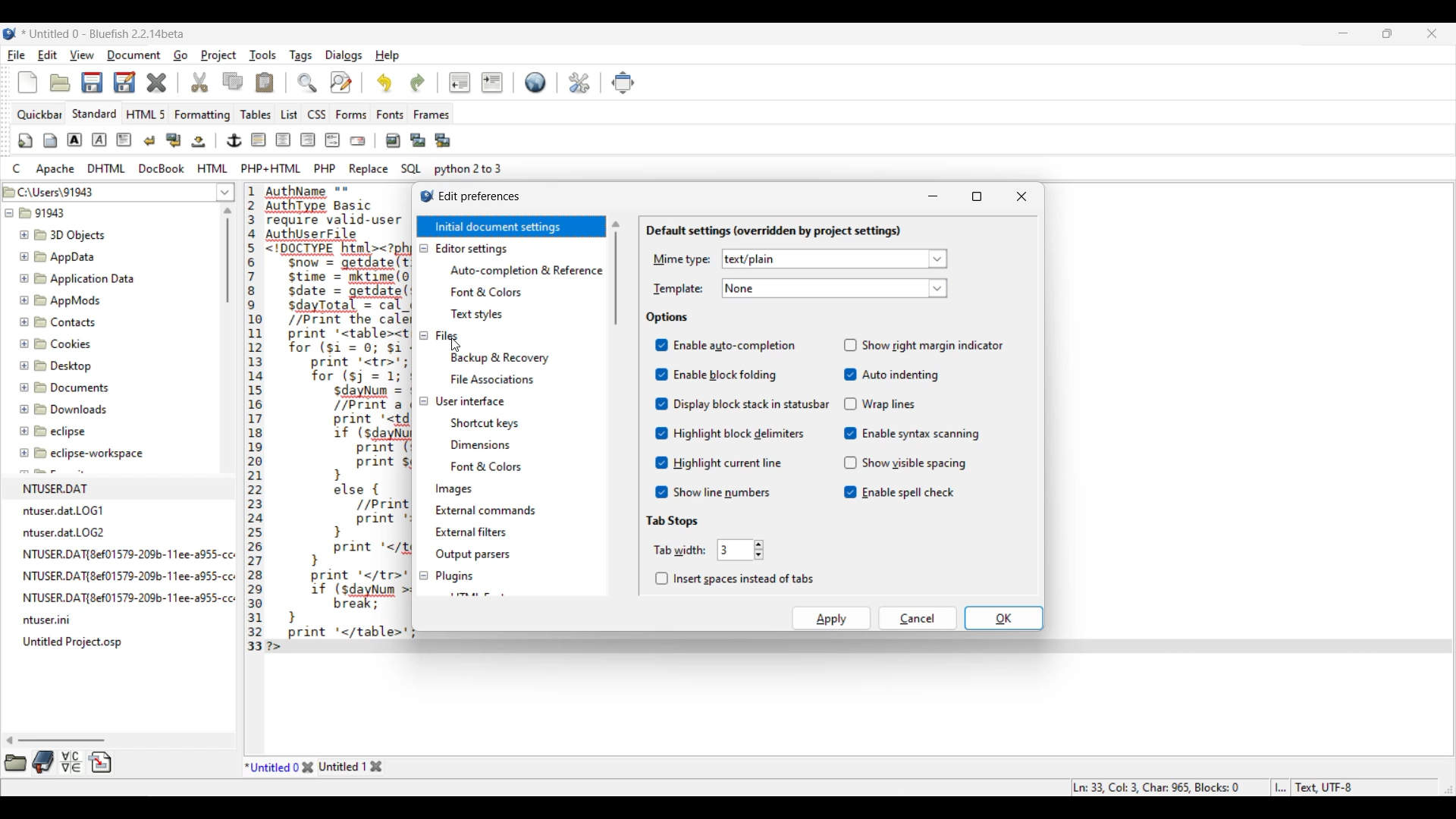 The width and height of the screenshot is (1456, 819). I want to click on Software logo, so click(10, 33).